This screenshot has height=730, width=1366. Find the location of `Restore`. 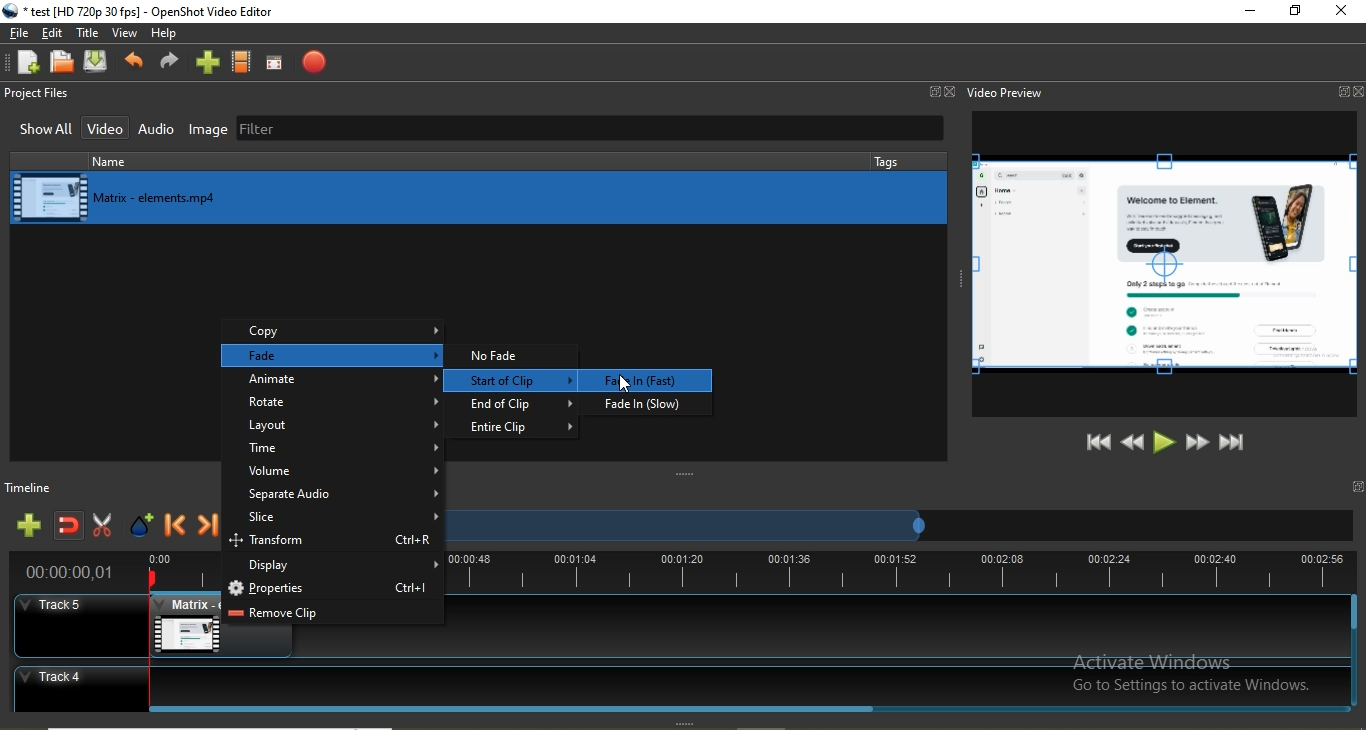

Restore is located at coordinates (1293, 11).